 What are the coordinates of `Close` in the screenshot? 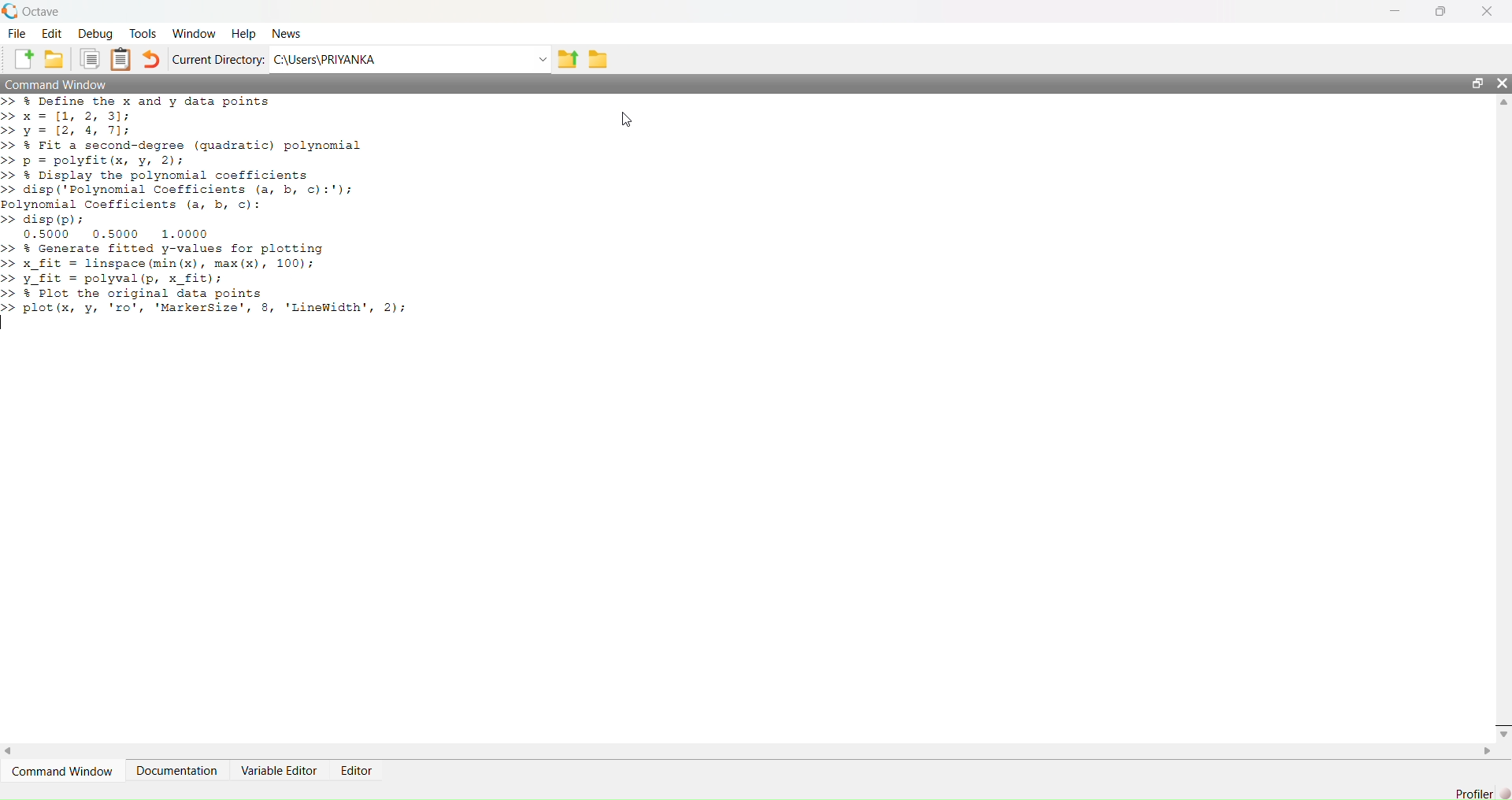 It's located at (1488, 12).